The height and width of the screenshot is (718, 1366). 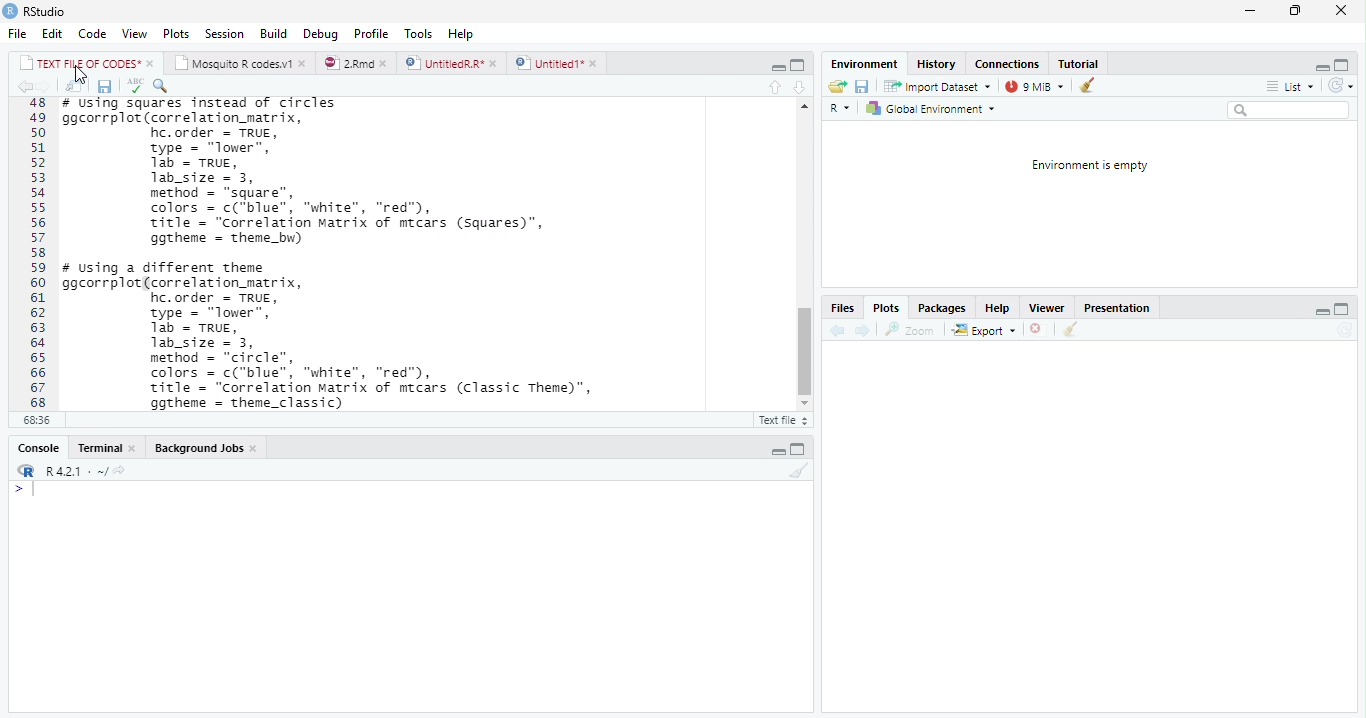 What do you see at coordinates (800, 88) in the screenshot?
I see `go to next section/chunk` at bounding box center [800, 88].